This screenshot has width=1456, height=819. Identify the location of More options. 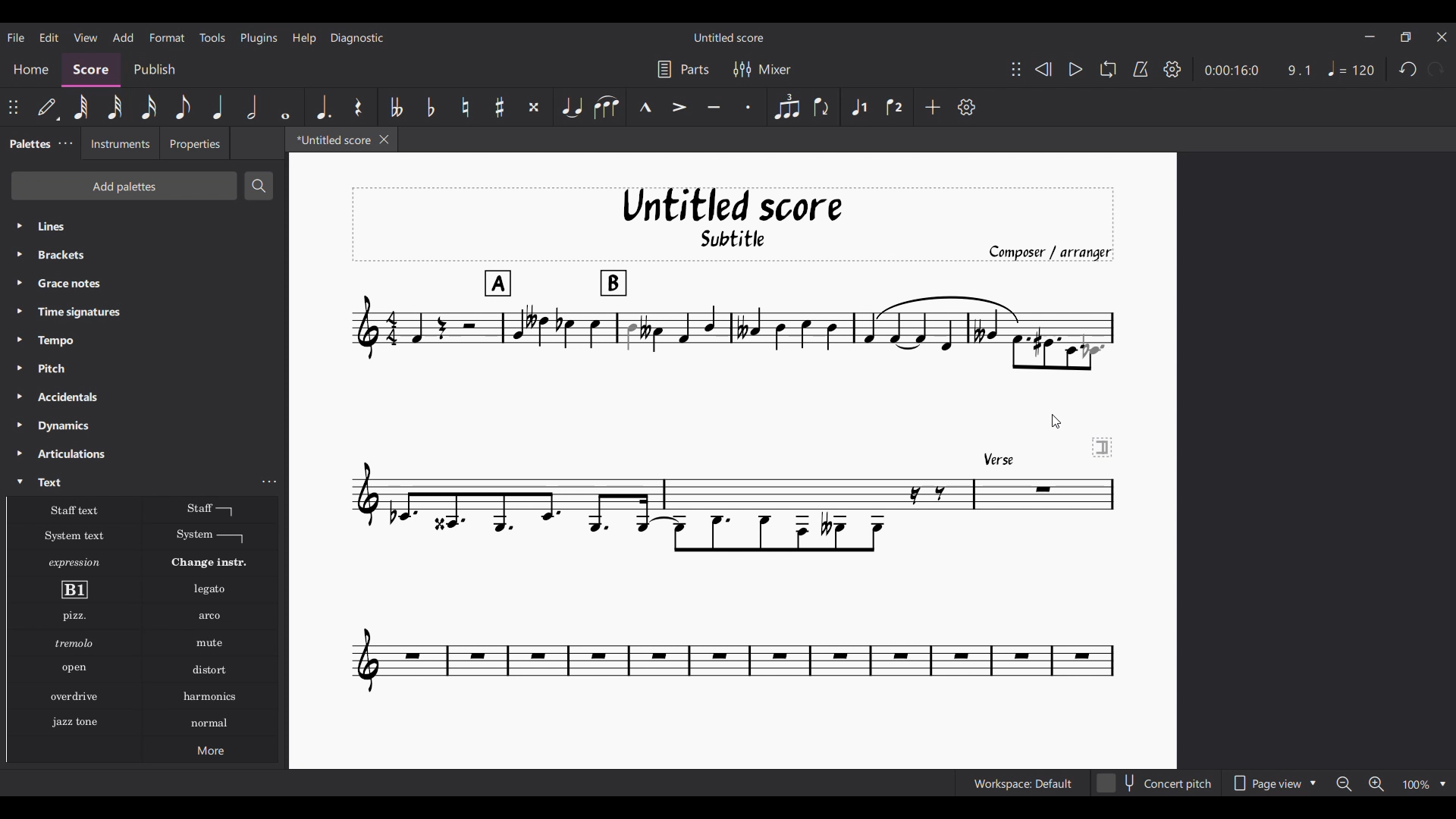
(210, 749).